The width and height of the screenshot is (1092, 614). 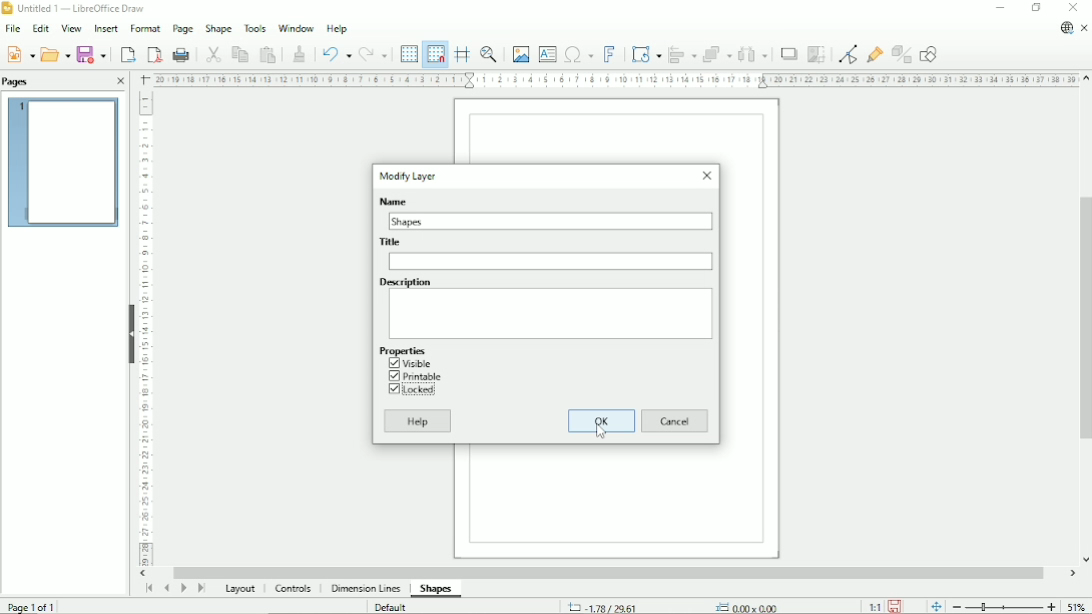 I want to click on Show gluepoint functions, so click(x=873, y=56).